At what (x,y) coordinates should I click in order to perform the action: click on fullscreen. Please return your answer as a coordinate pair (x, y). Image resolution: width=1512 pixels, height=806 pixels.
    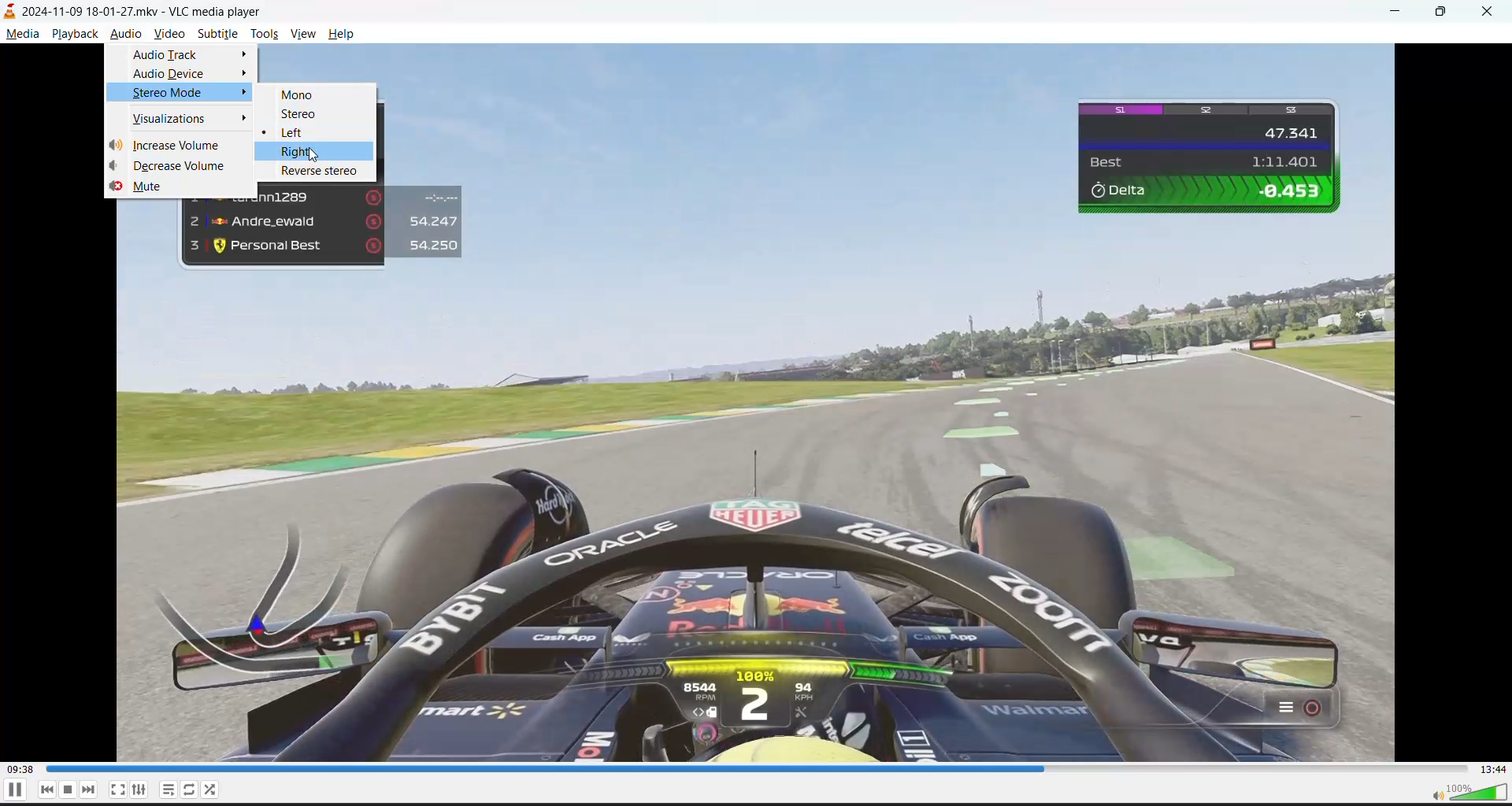
    Looking at the image, I should click on (117, 789).